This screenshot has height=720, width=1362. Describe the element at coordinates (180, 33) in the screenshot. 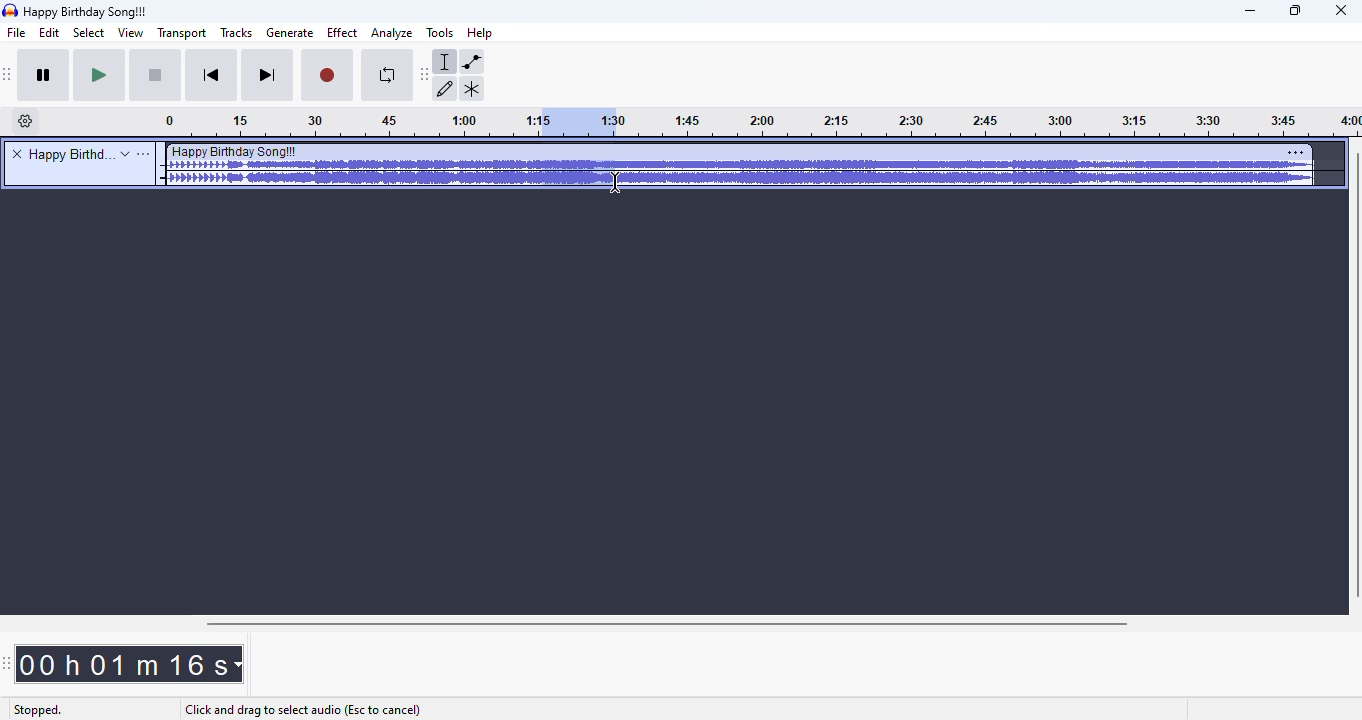

I see `transport` at that location.